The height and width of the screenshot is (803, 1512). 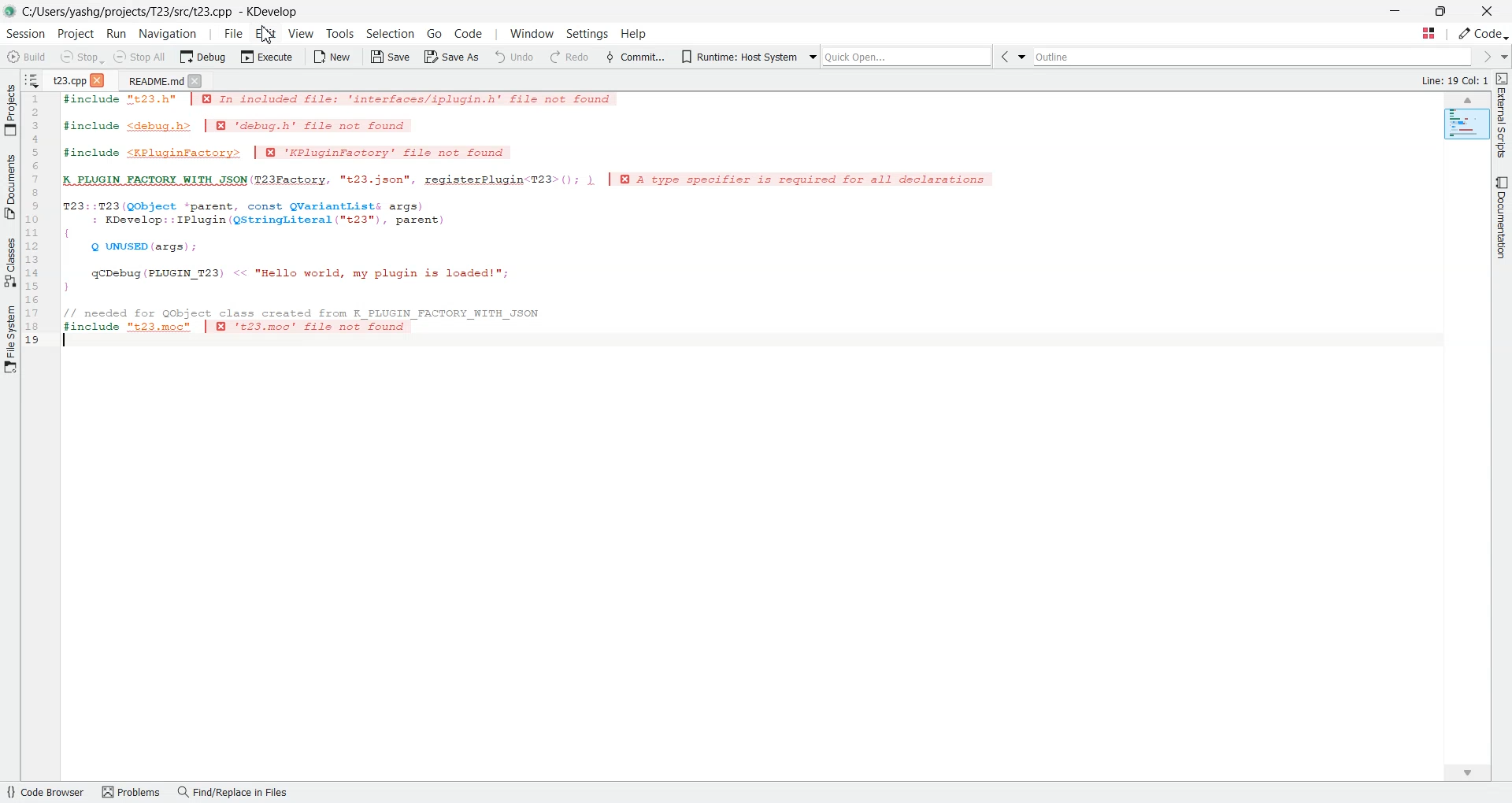 What do you see at coordinates (163, 12) in the screenshot?
I see `C:/Users/yashg/projects/T23/src/t23.cpp - KDevelop` at bounding box center [163, 12].